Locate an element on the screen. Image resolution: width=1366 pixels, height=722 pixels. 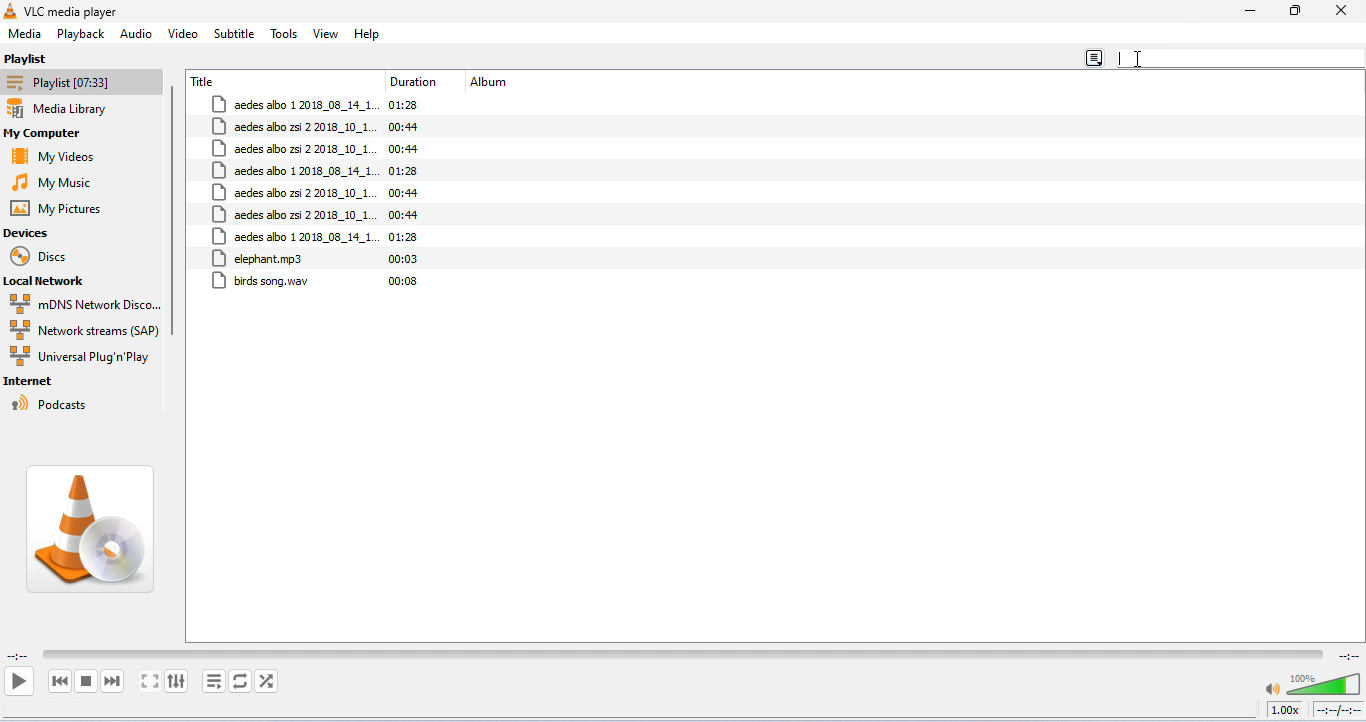
view is located at coordinates (326, 34).